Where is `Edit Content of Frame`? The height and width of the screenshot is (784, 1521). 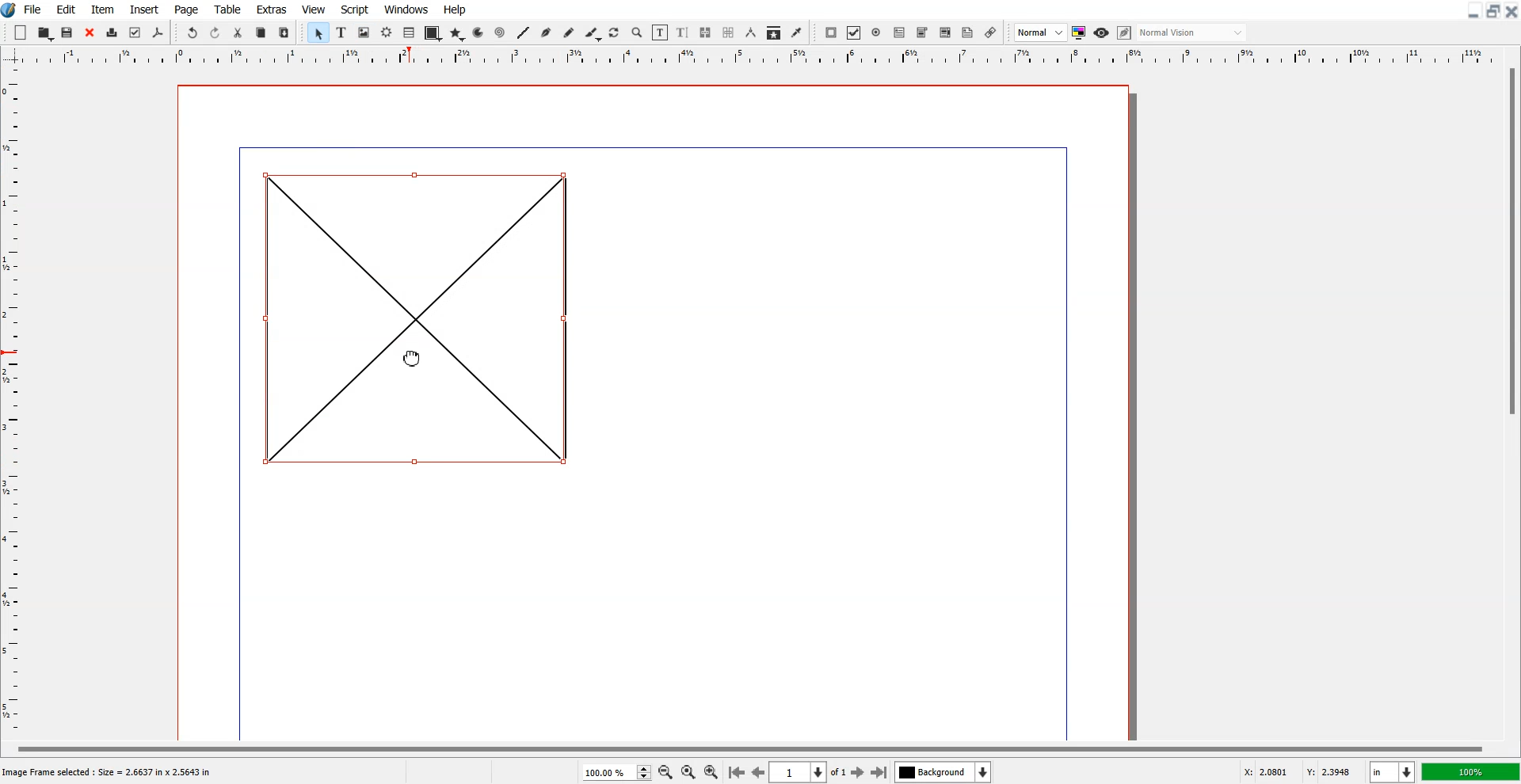 Edit Content of Frame is located at coordinates (661, 32).